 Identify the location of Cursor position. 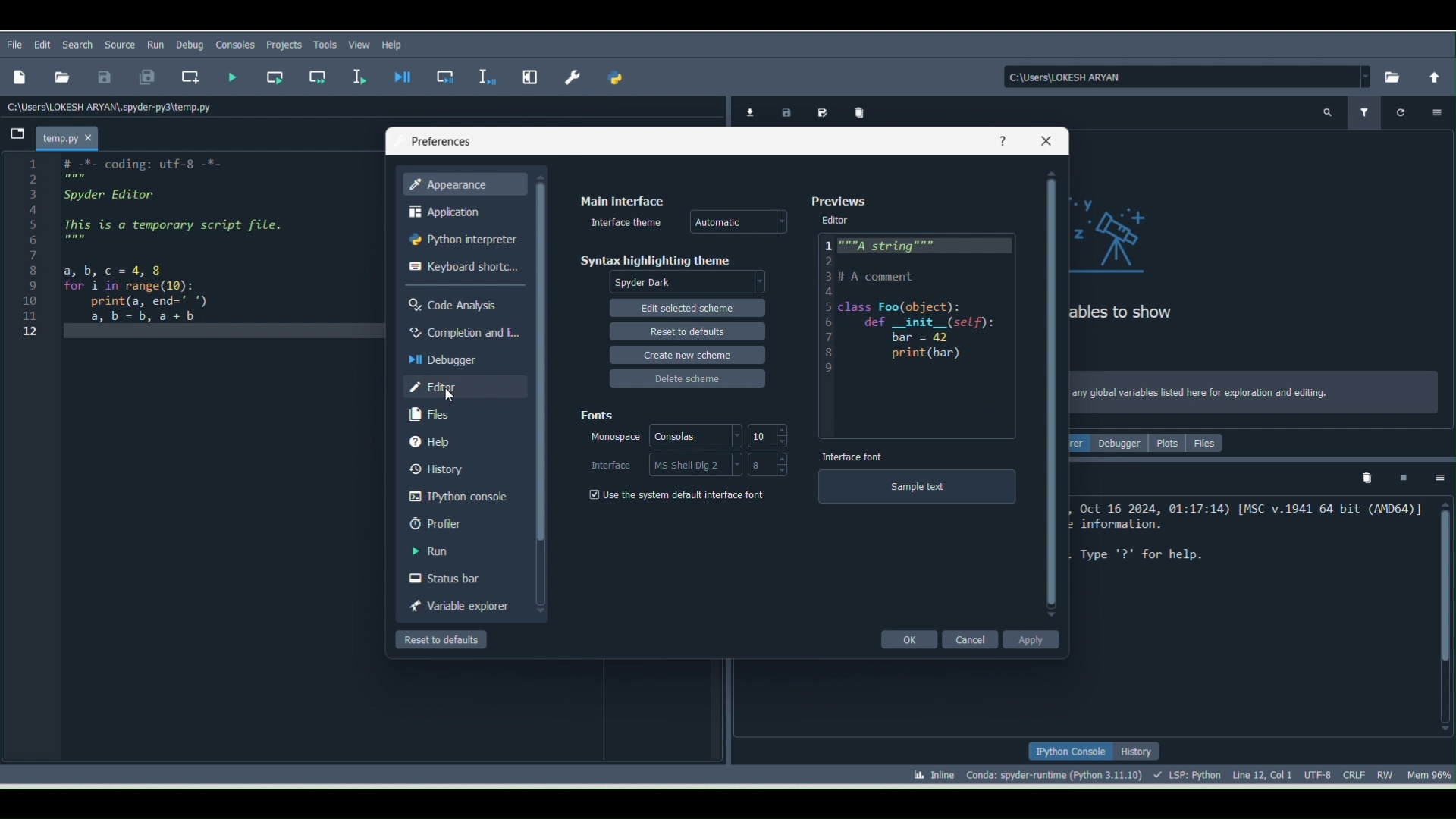
(1262, 773).